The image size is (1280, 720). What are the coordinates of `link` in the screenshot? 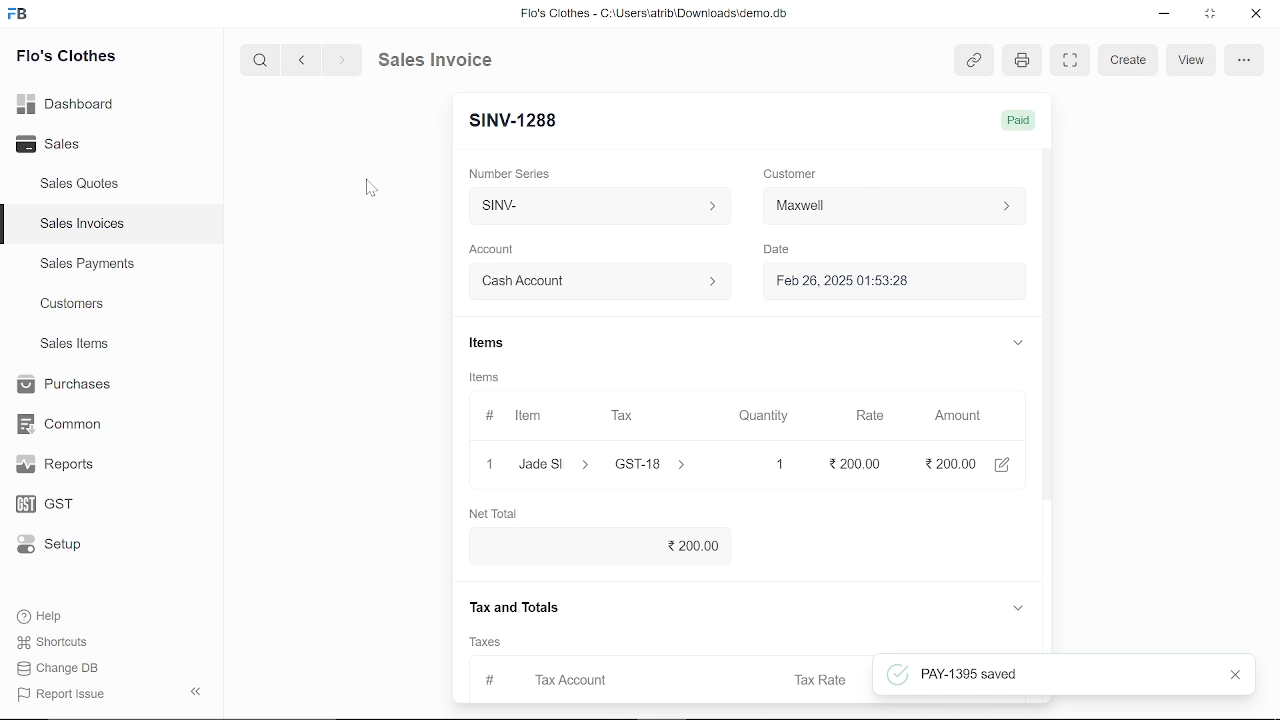 It's located at (973, 61).